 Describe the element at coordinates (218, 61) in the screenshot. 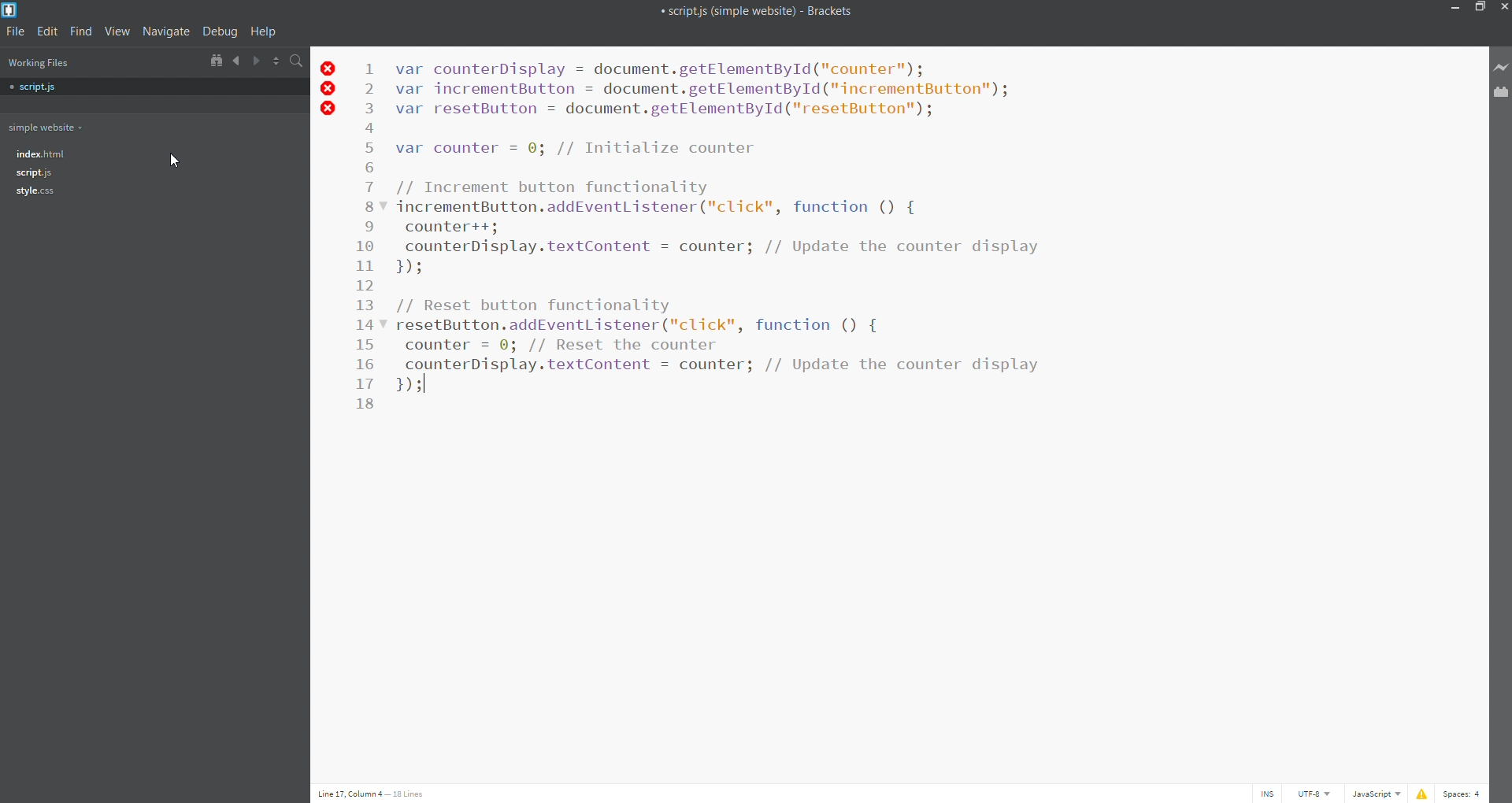

I see `show in file tree` at that location.